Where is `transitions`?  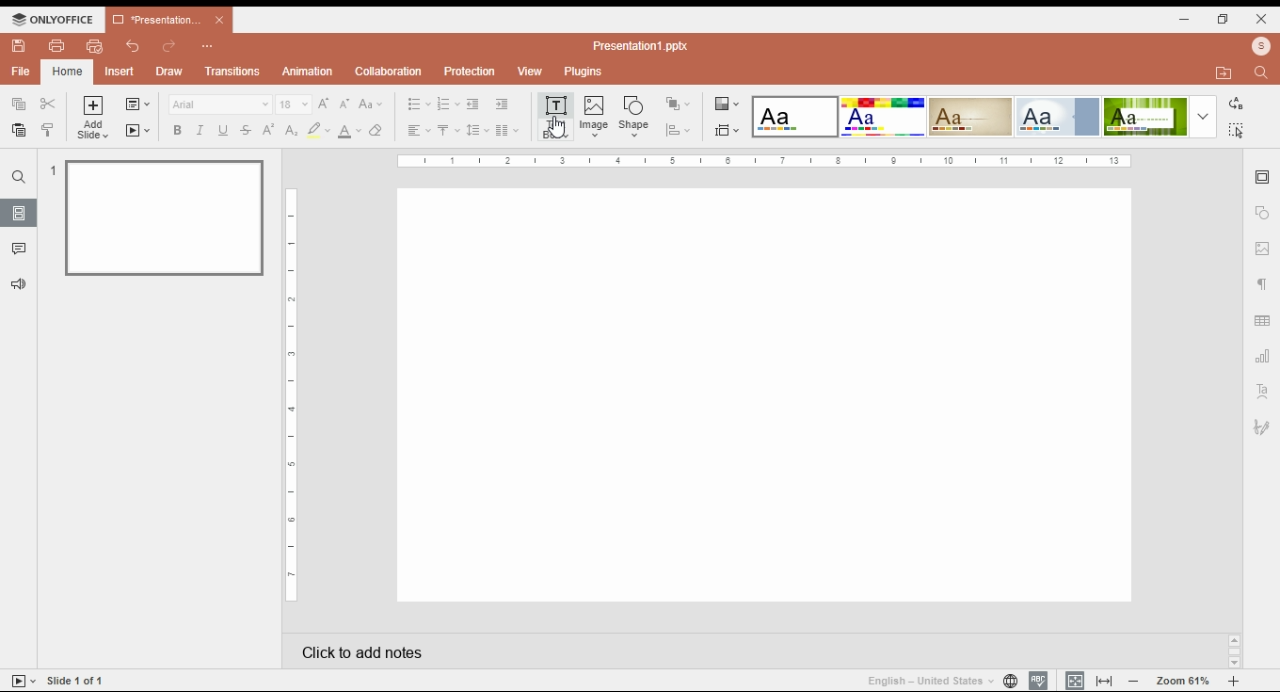
transitions is located at coordinates (233, 73).